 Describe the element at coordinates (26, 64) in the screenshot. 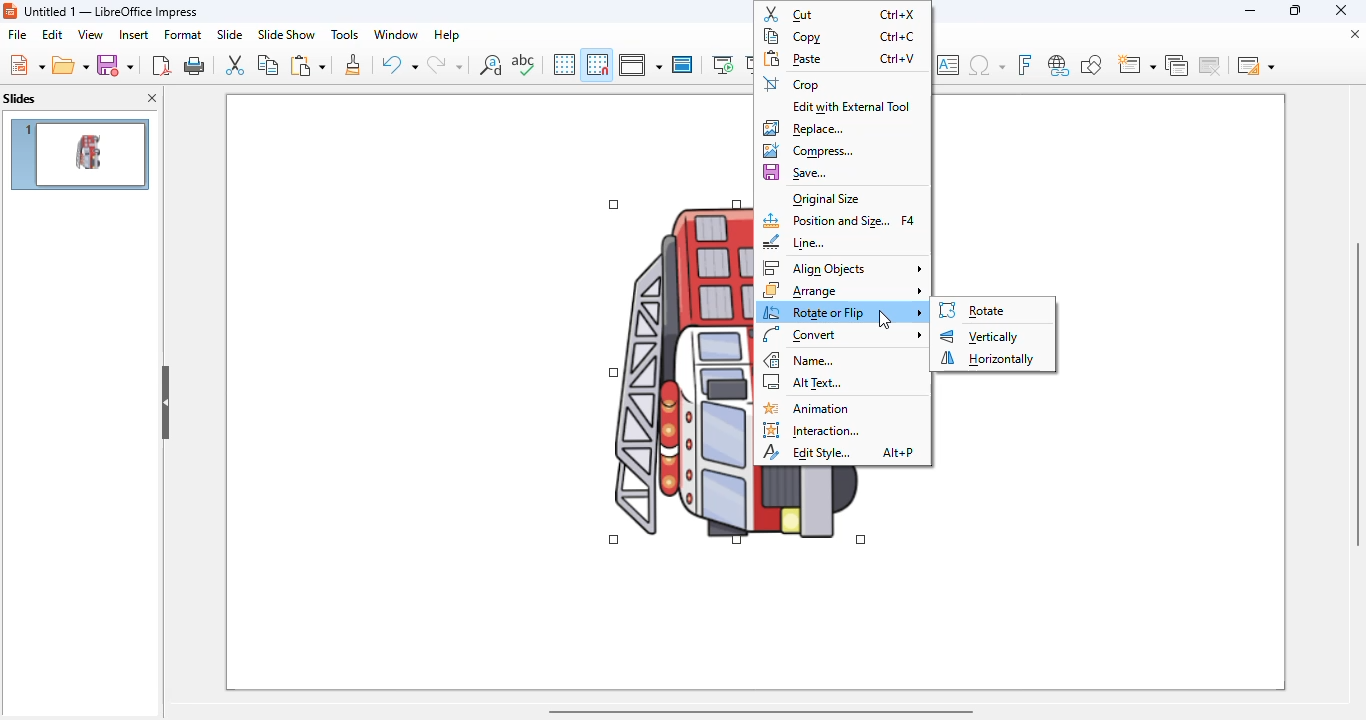

I see `new` at that location.